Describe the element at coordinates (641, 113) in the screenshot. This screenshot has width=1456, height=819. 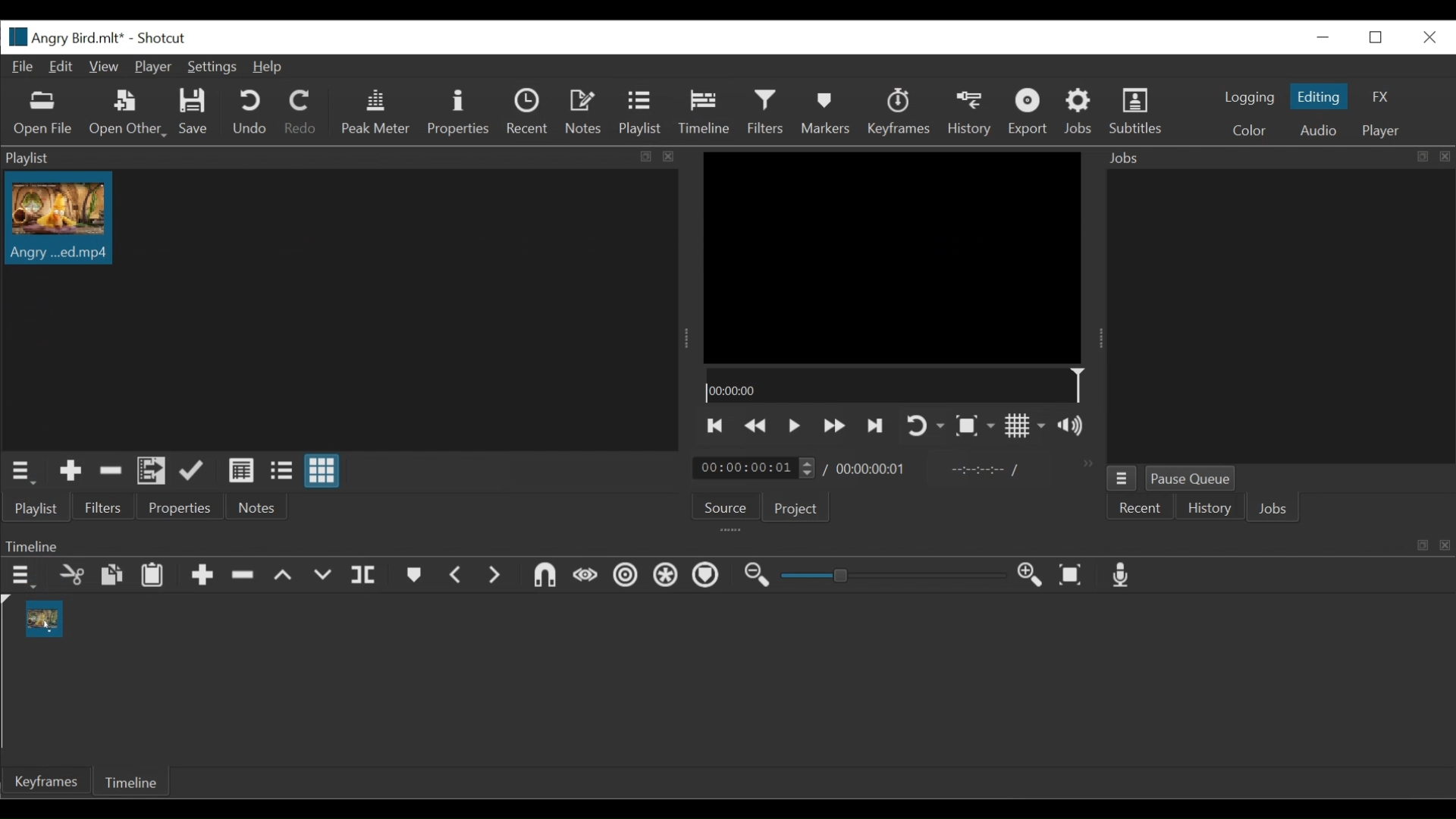
I see `Playlist` at that location.